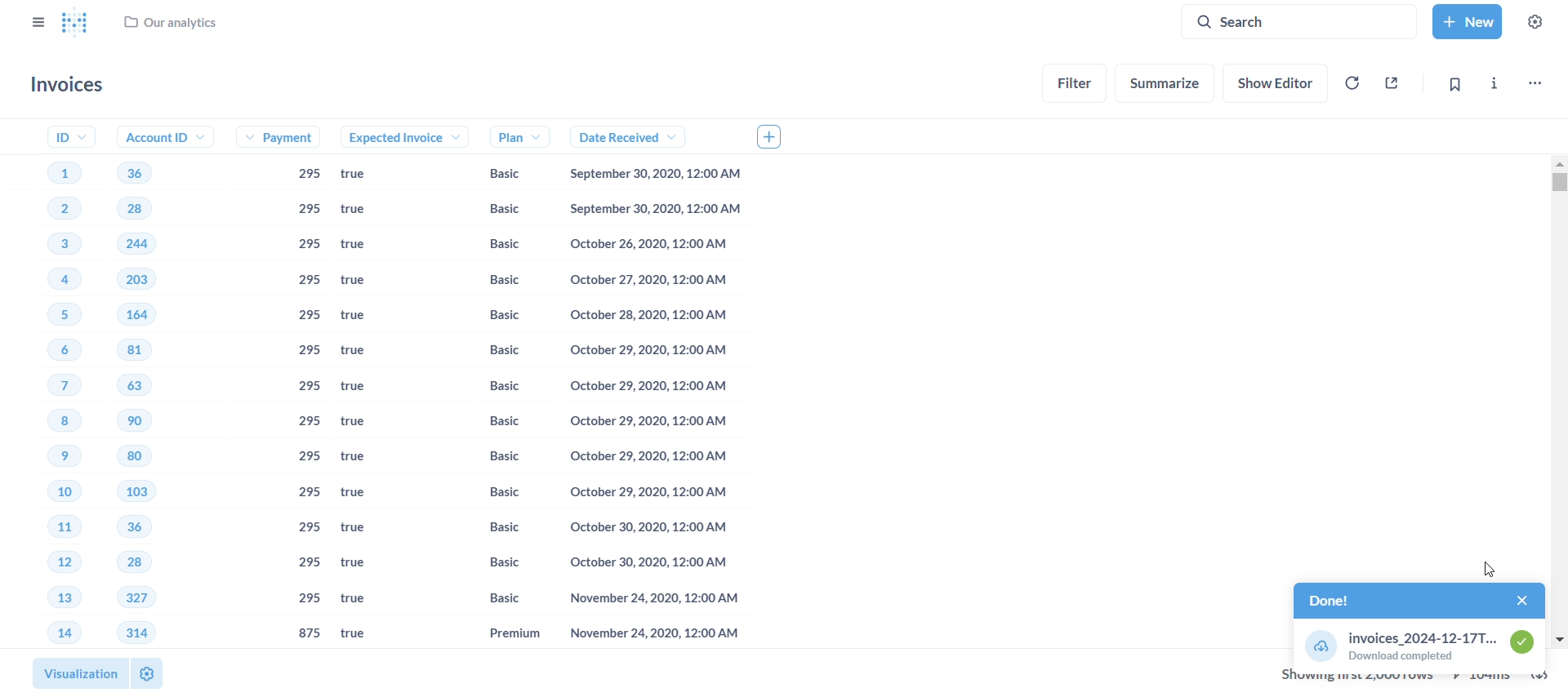 The image size is (1568, 697). Describe the element at coordinates (134, 209) in the screenshot. I see `28` at that location.